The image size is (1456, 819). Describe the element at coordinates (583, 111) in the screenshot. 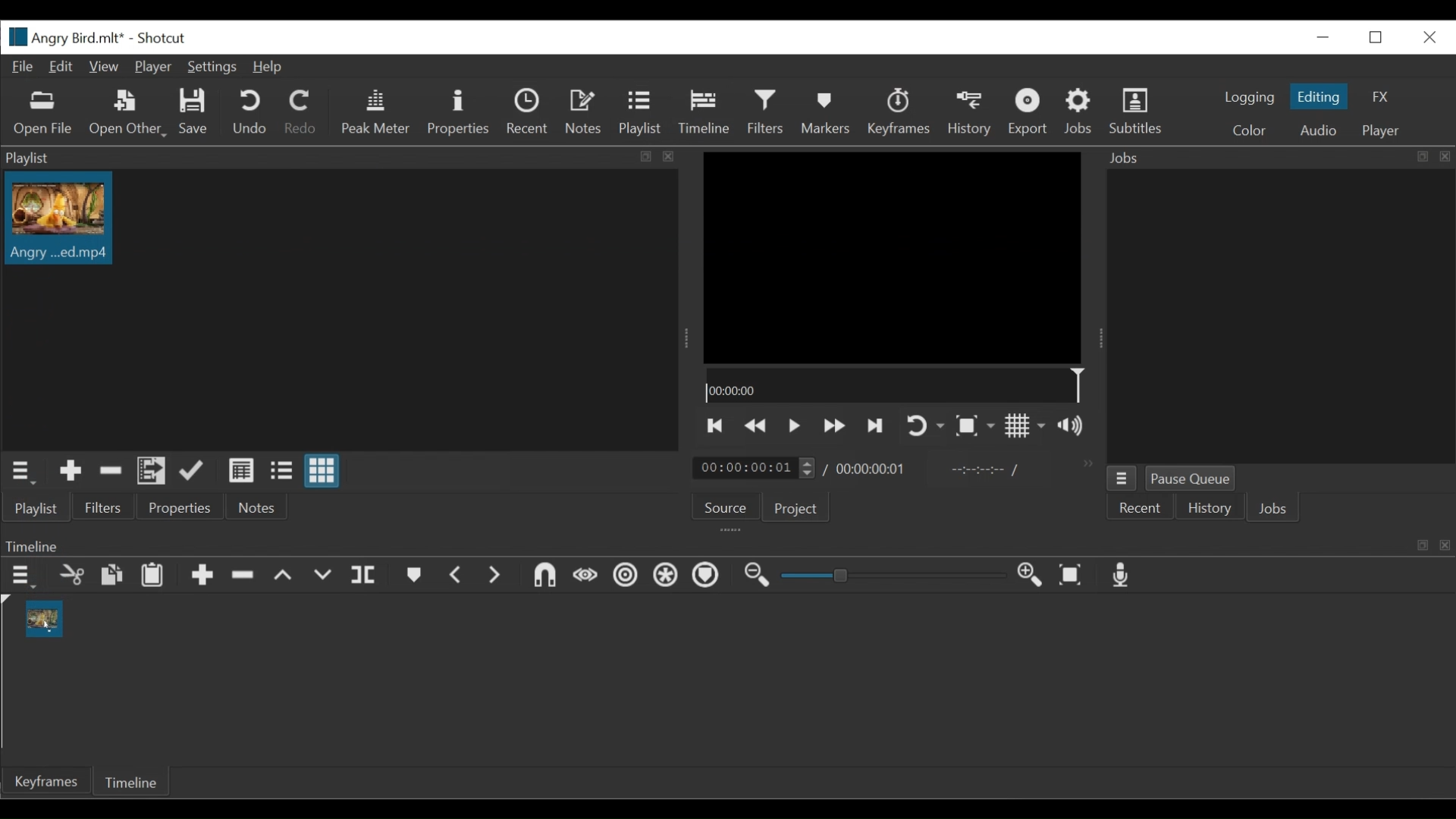

I see `Notes` at that location.